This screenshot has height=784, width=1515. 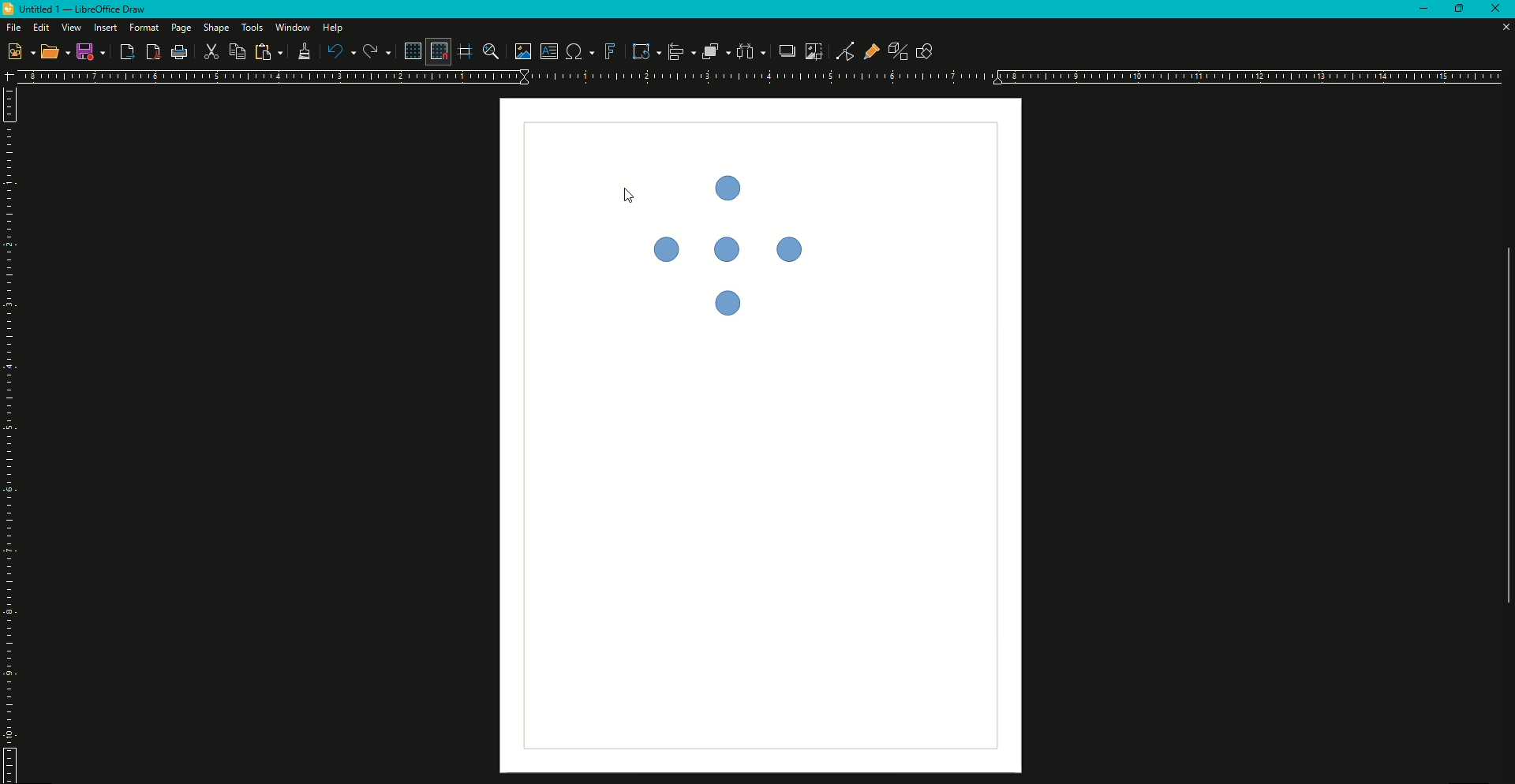 What do you see at coordinates (625, 193) in the screenshot?
I see `Cursor` at bounding box center [625, 193].